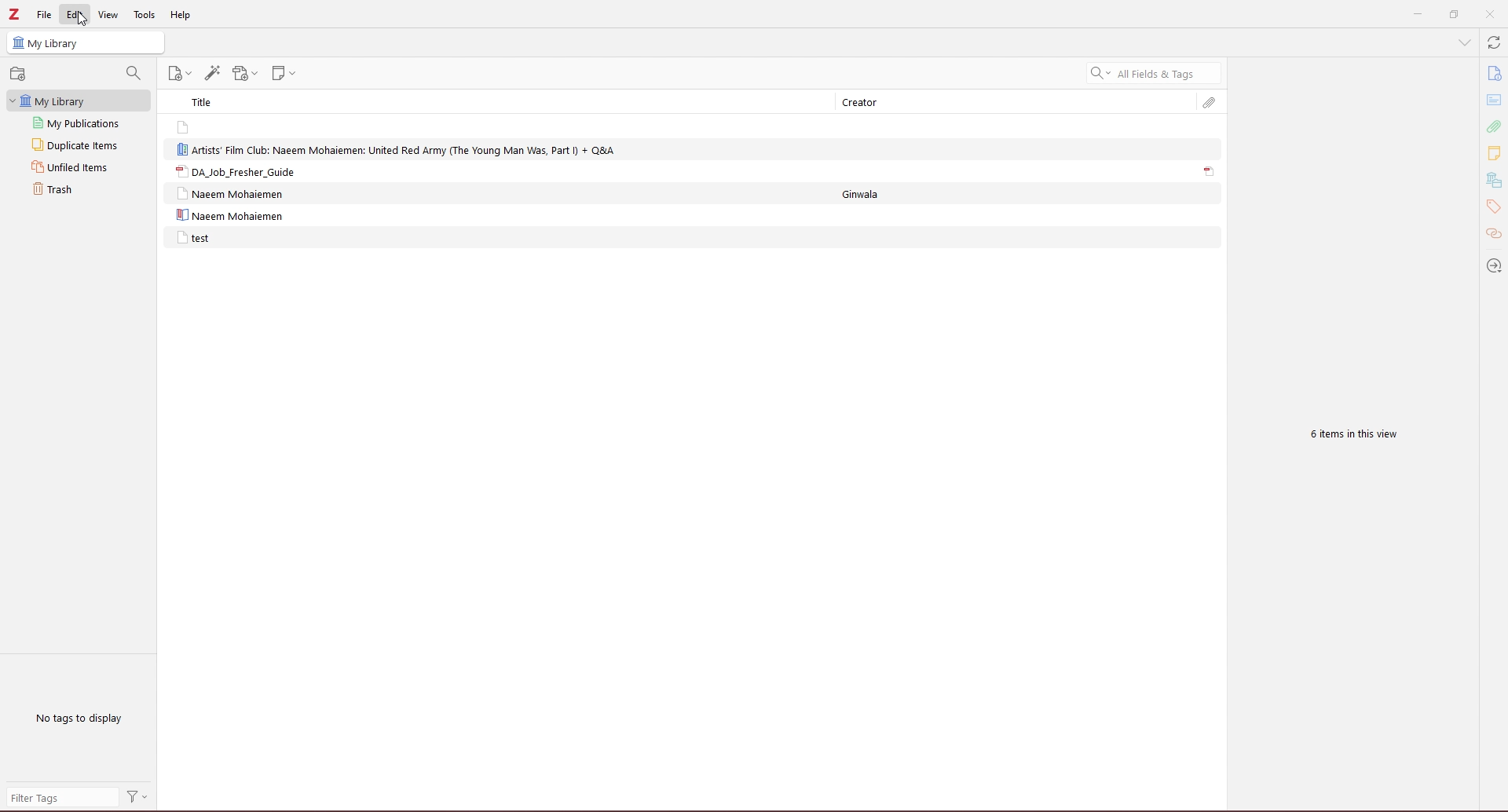 This screenshot has width=1508, height=812. What do you see at coordinates (1493, 74) in the screenshot?
I see `info` at bounding box center [1493, 74].